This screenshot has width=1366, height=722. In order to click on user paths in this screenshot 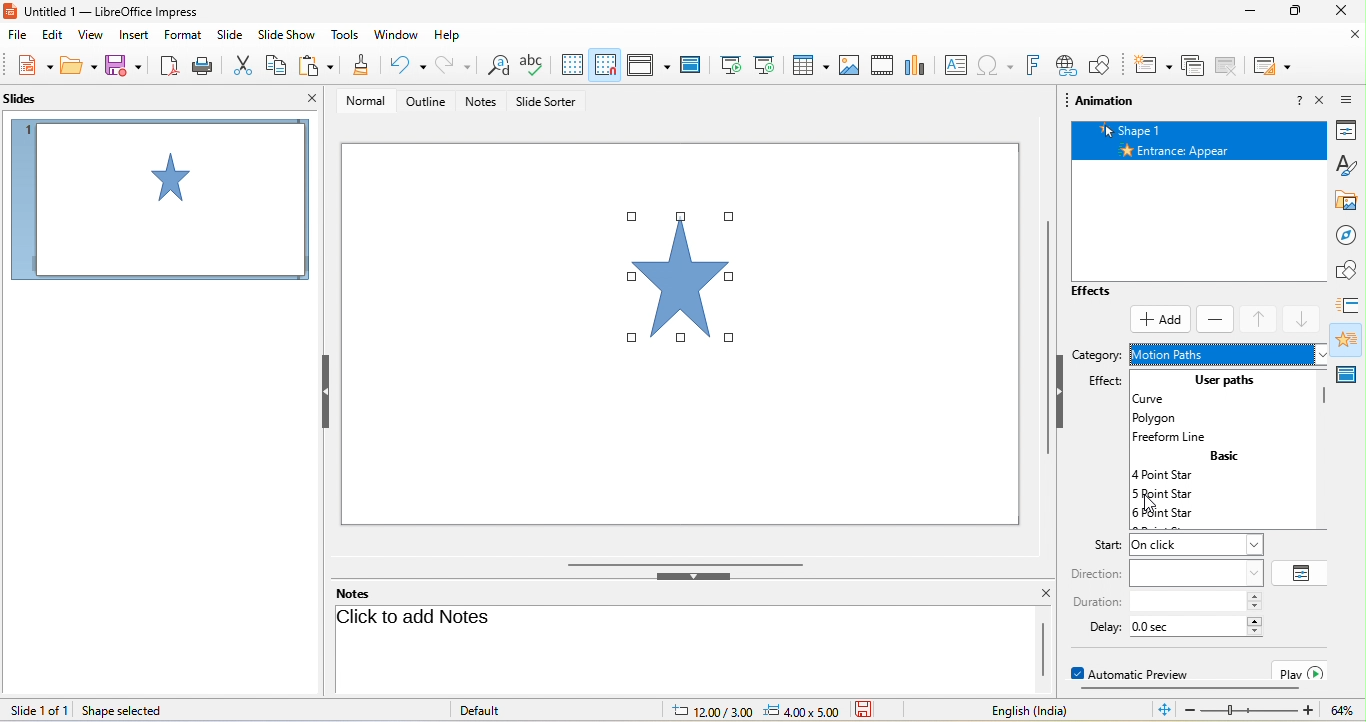, I will do `click(1229, 379)`.